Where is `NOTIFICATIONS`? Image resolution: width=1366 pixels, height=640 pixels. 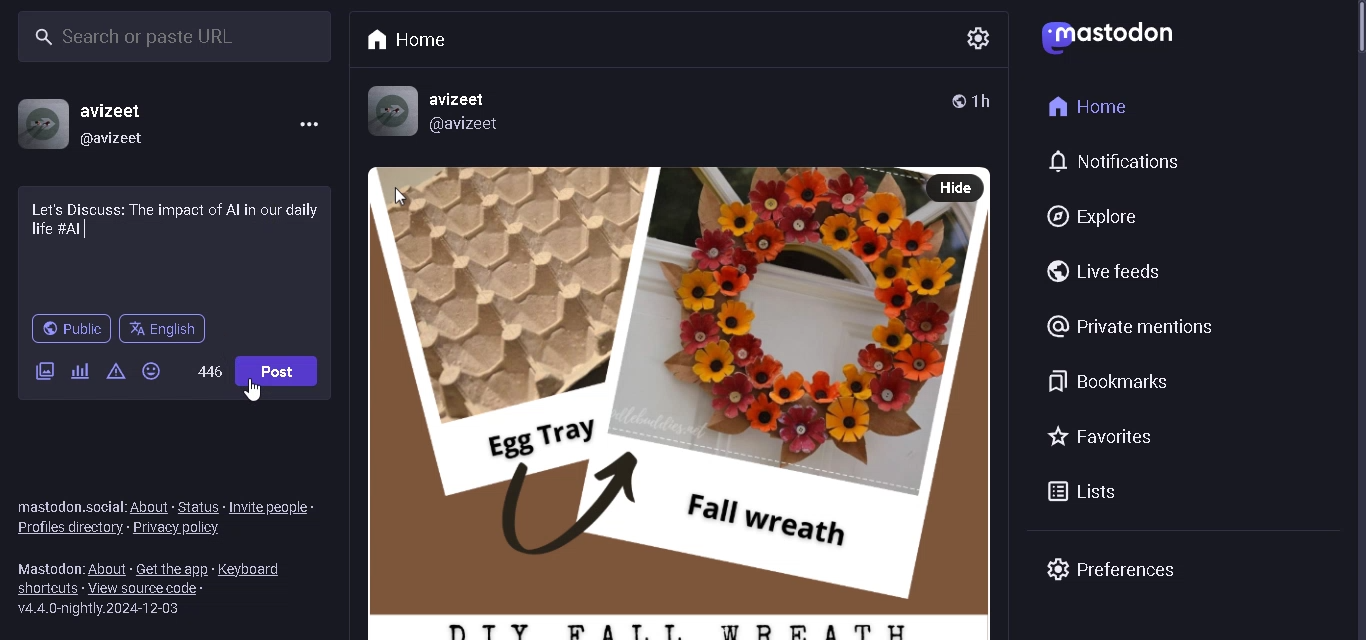 NOTIFICATIONS is located at coordinates (1115, 162).